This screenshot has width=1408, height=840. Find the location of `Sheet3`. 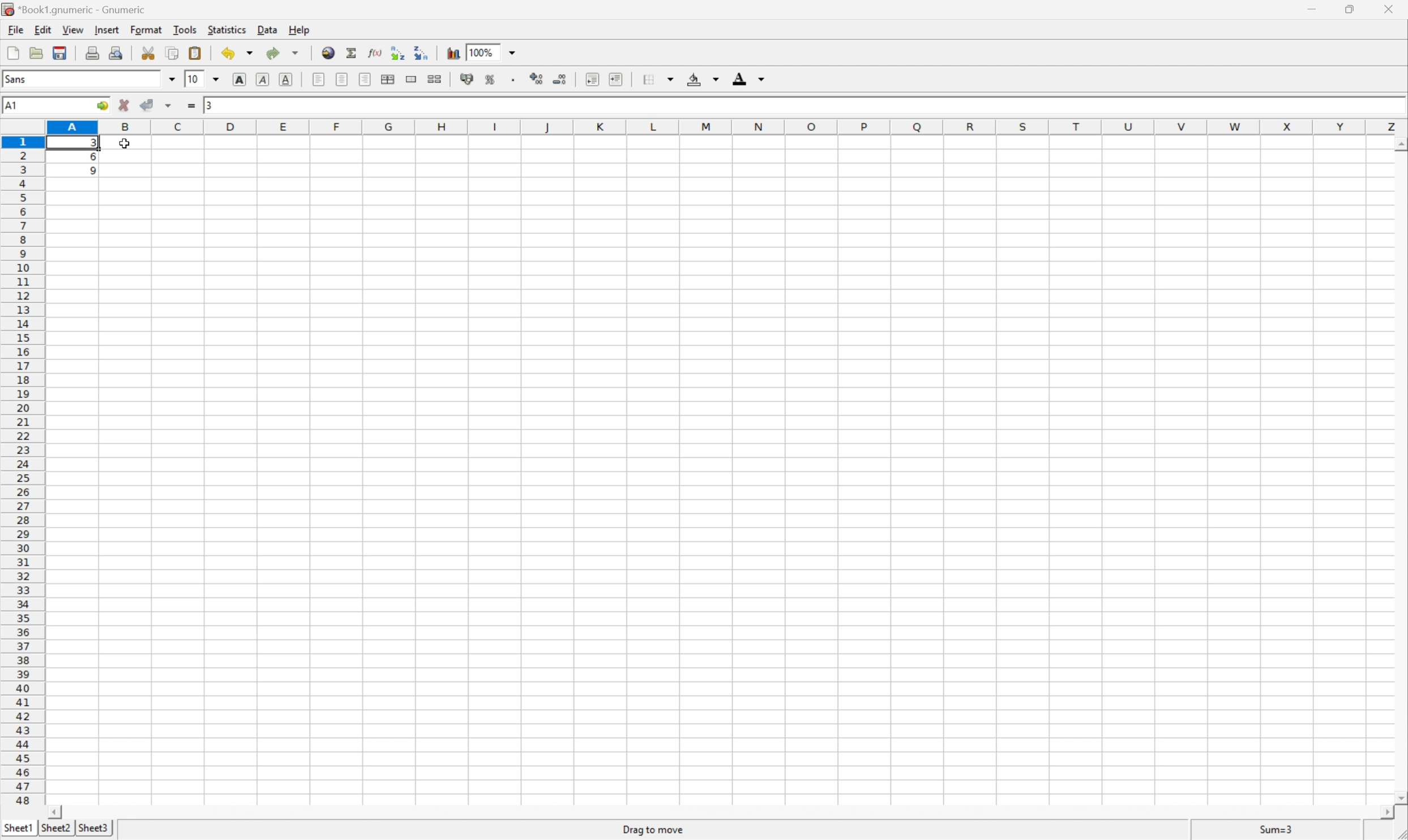

Sheet3 is located at coordinates (93, 828).